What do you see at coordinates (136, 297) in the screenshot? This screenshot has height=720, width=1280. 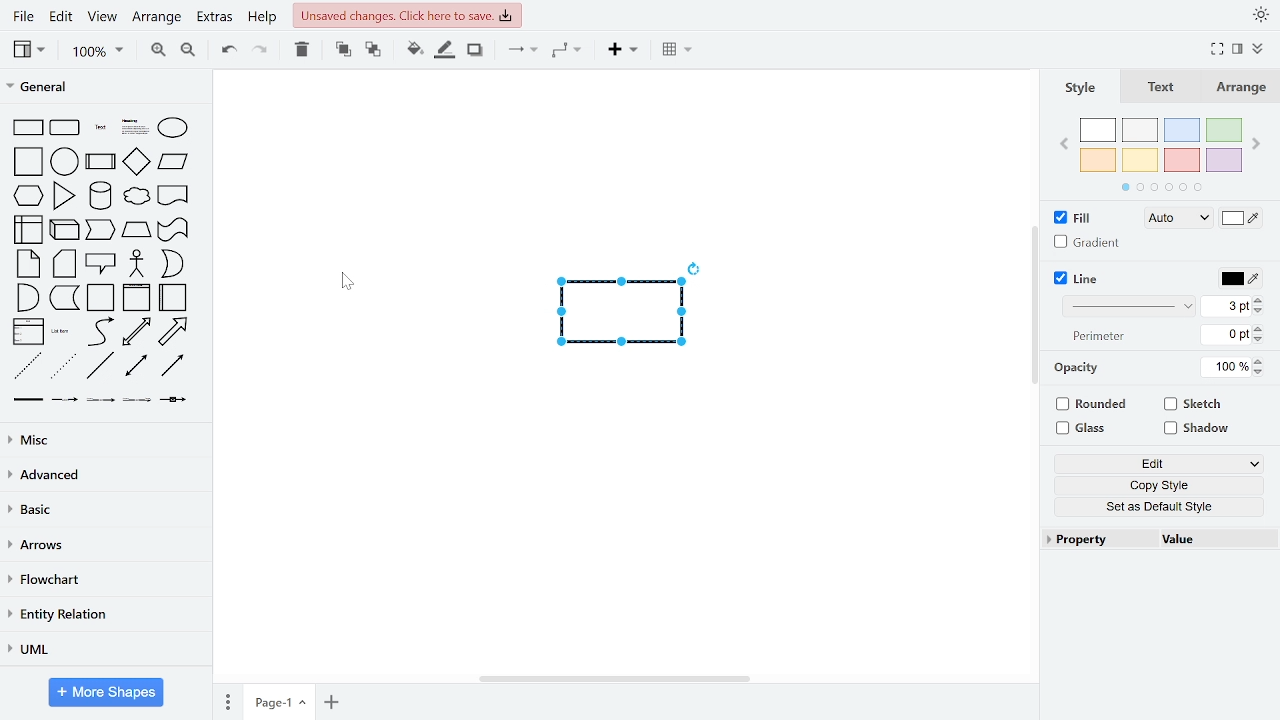 I see `general shapes` at bounding box center [136, 297].